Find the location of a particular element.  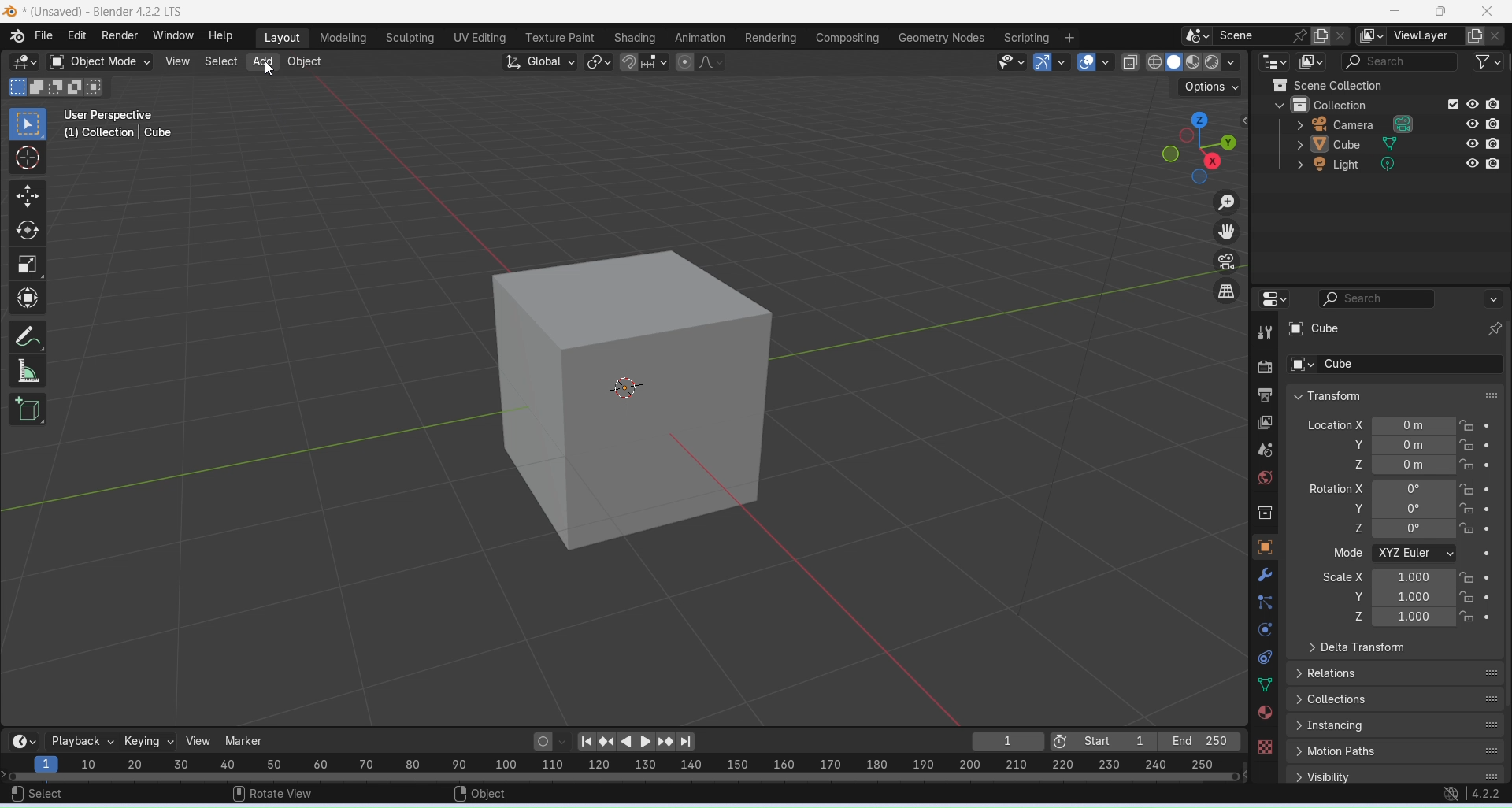

Z axis is located at coordinates (1433, 465).